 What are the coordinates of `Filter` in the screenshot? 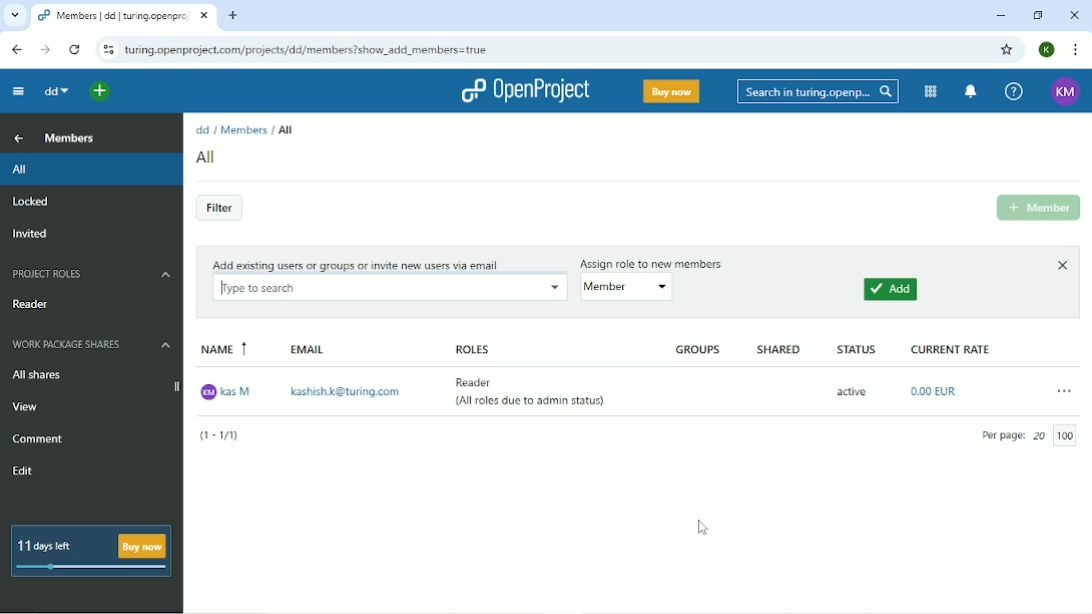 It's located at (219, 209).